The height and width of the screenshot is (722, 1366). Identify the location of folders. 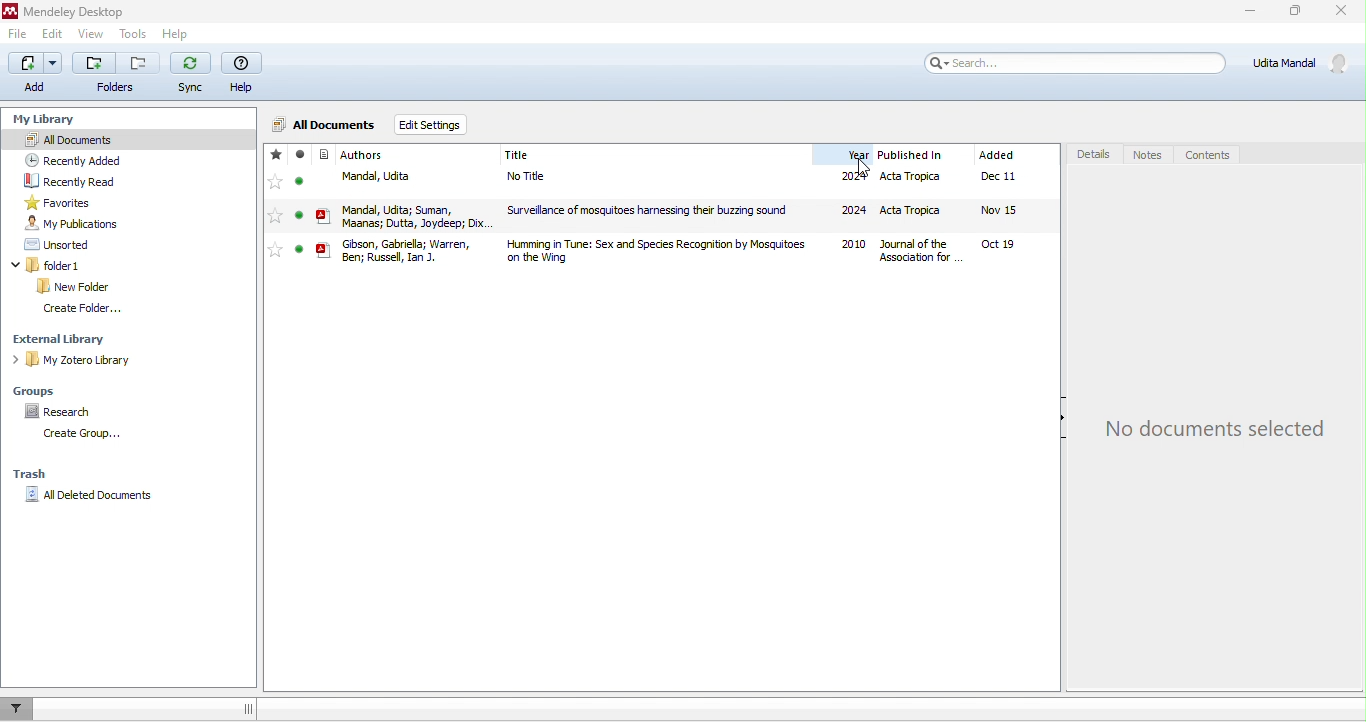
(114, 72).